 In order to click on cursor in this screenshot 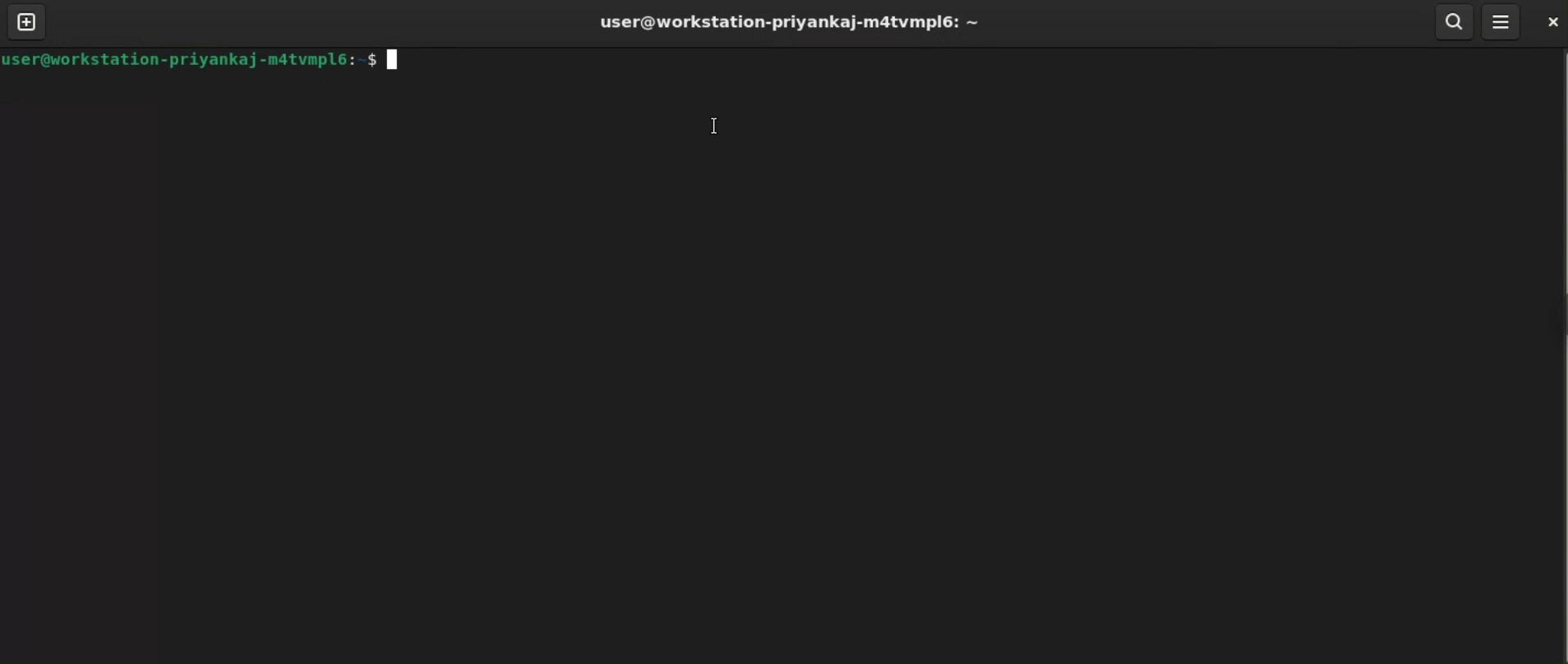, I will do `click(715, 127)`.